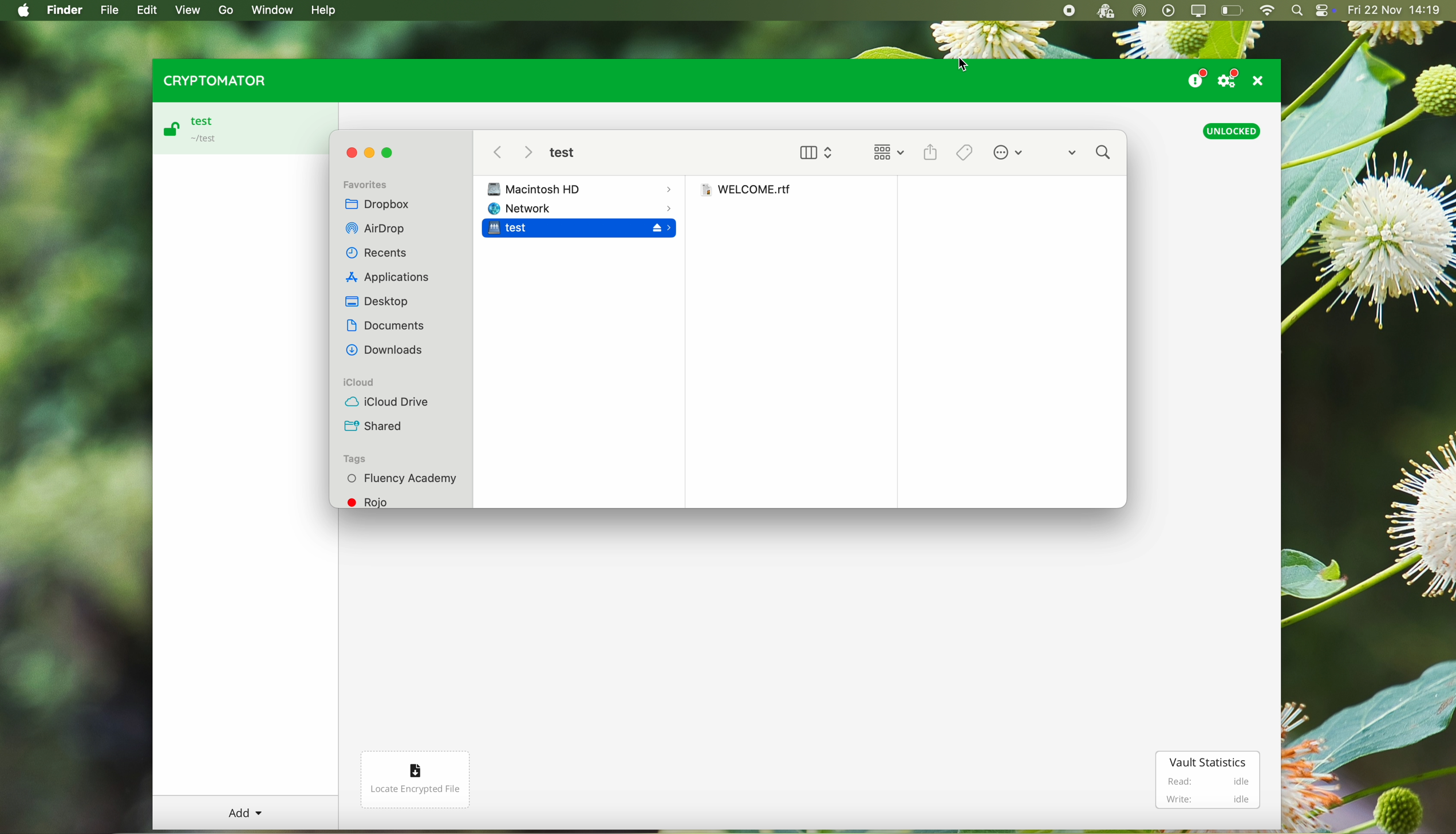 This screenshot has width=1456, height=834. What do you see at coordinates (390, 382) in the screenshot?
I see `icloud` at bounding box center [390, 382].